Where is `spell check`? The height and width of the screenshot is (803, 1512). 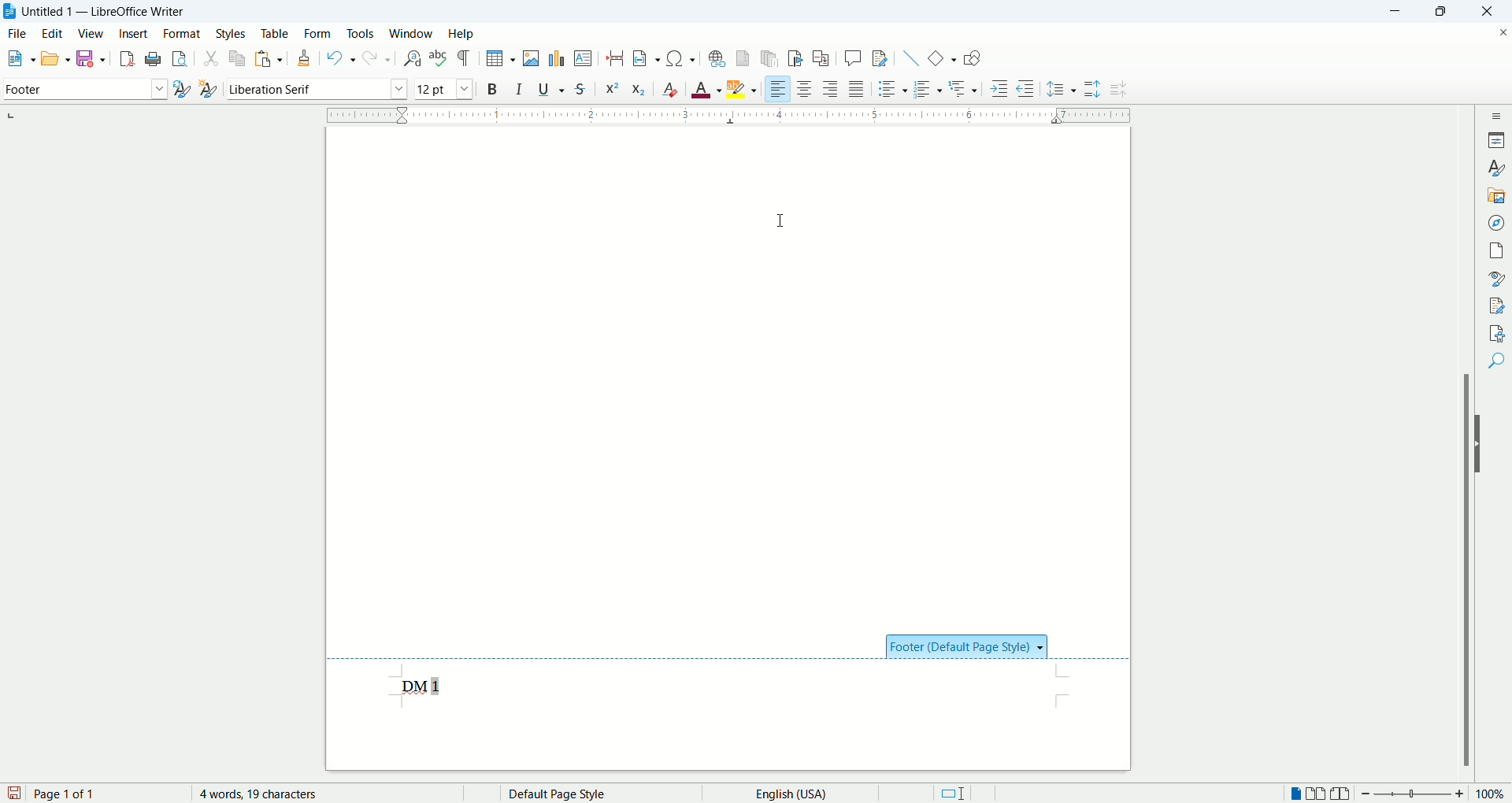 spell check is located at coordinates (440, 58).